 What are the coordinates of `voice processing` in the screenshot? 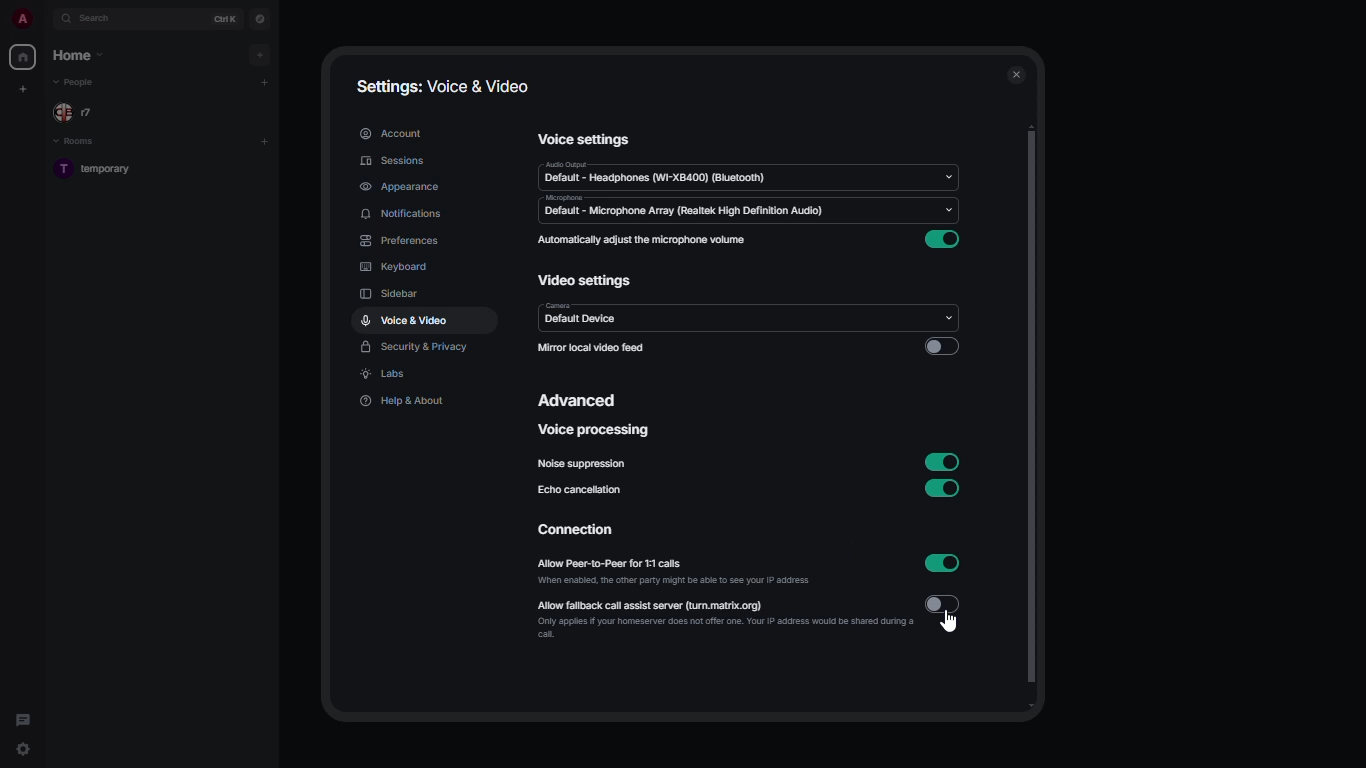 It's located at (594, 431).